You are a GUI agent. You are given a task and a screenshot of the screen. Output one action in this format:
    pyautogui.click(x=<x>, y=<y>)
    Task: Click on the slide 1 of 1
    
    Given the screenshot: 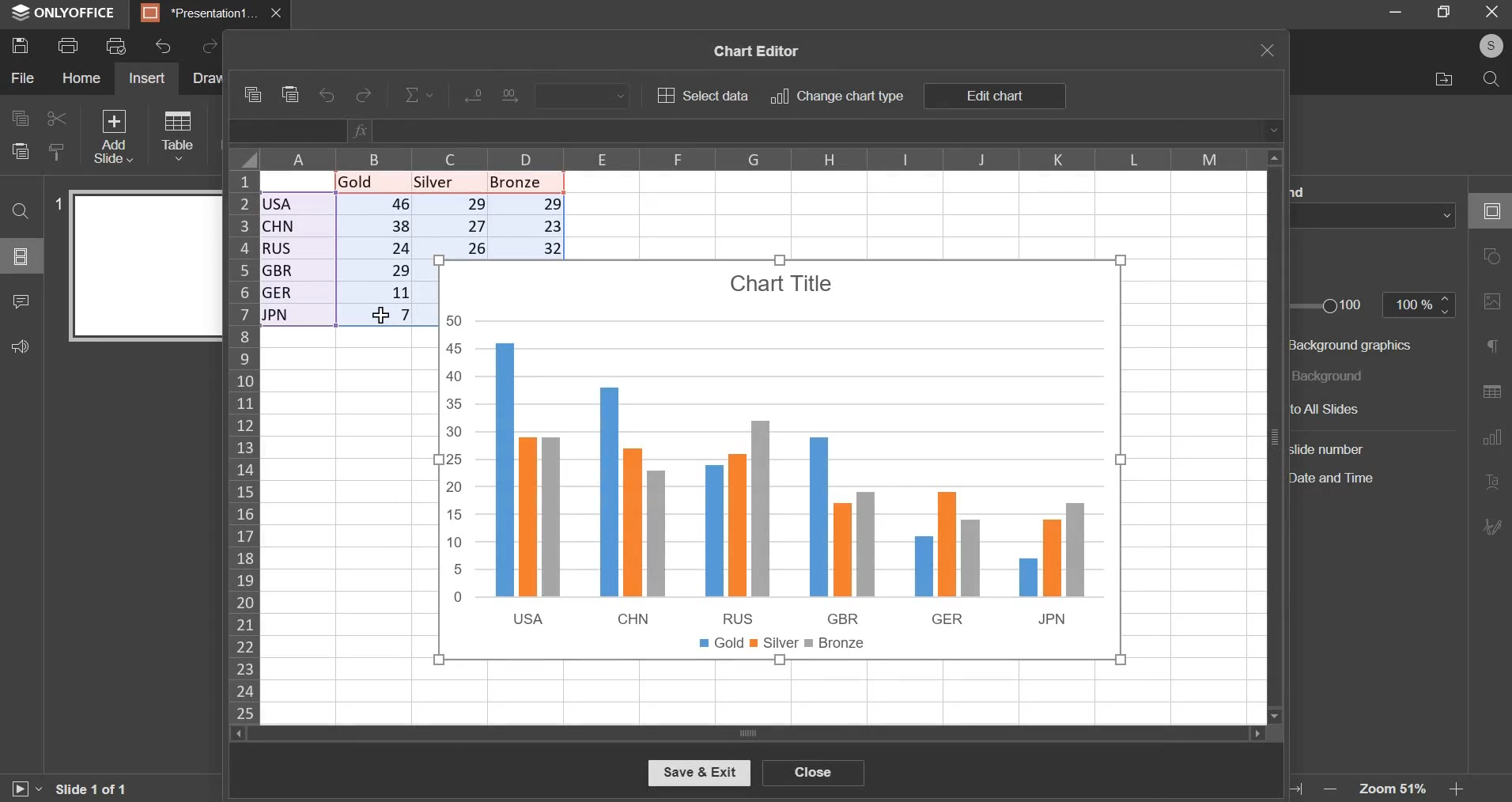 What is the action you would take?
    pyautogui.click(x=90, y=791)
    